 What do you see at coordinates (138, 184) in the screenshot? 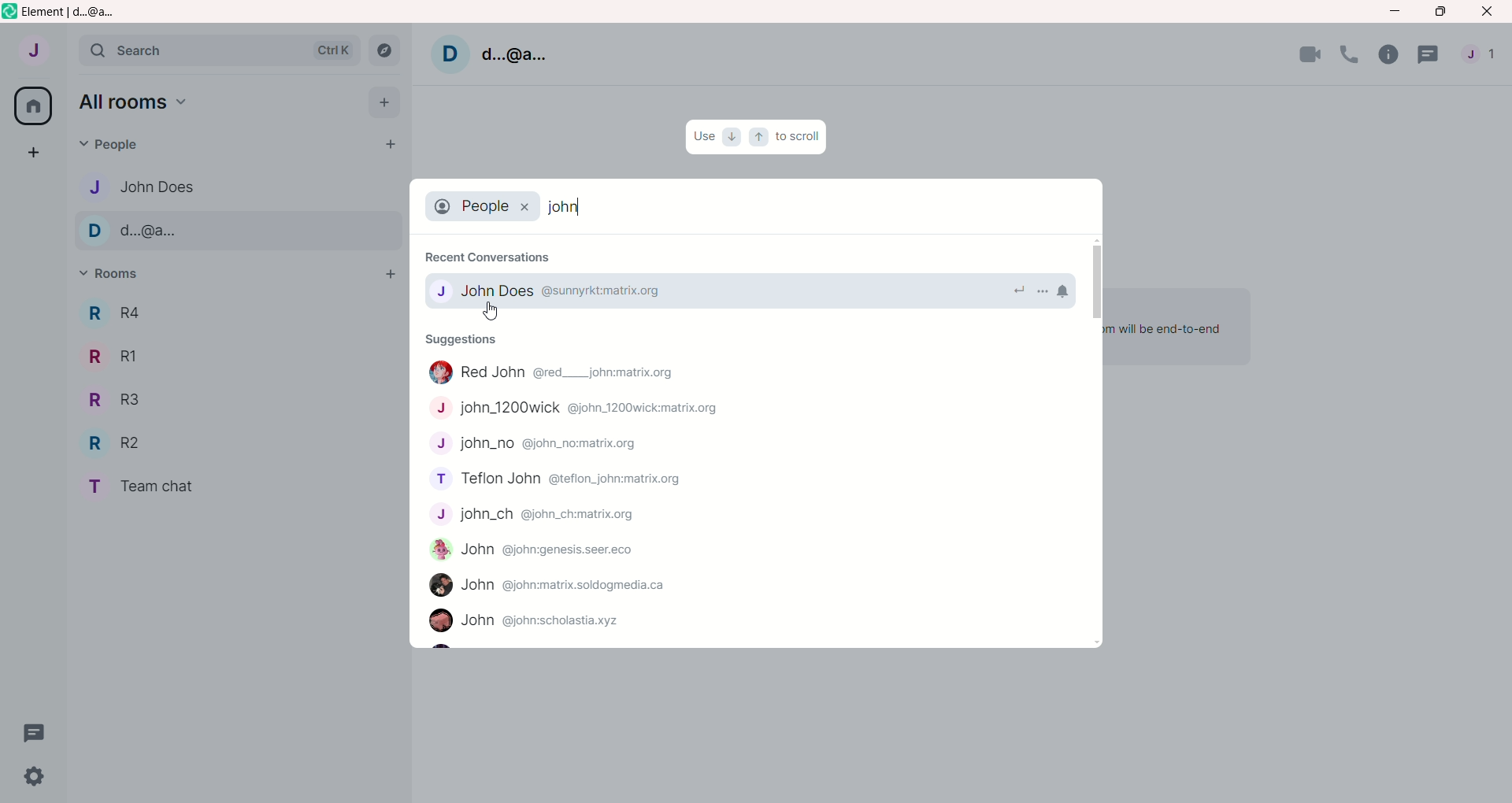
I see `john does` at bounding box center [138, 184].